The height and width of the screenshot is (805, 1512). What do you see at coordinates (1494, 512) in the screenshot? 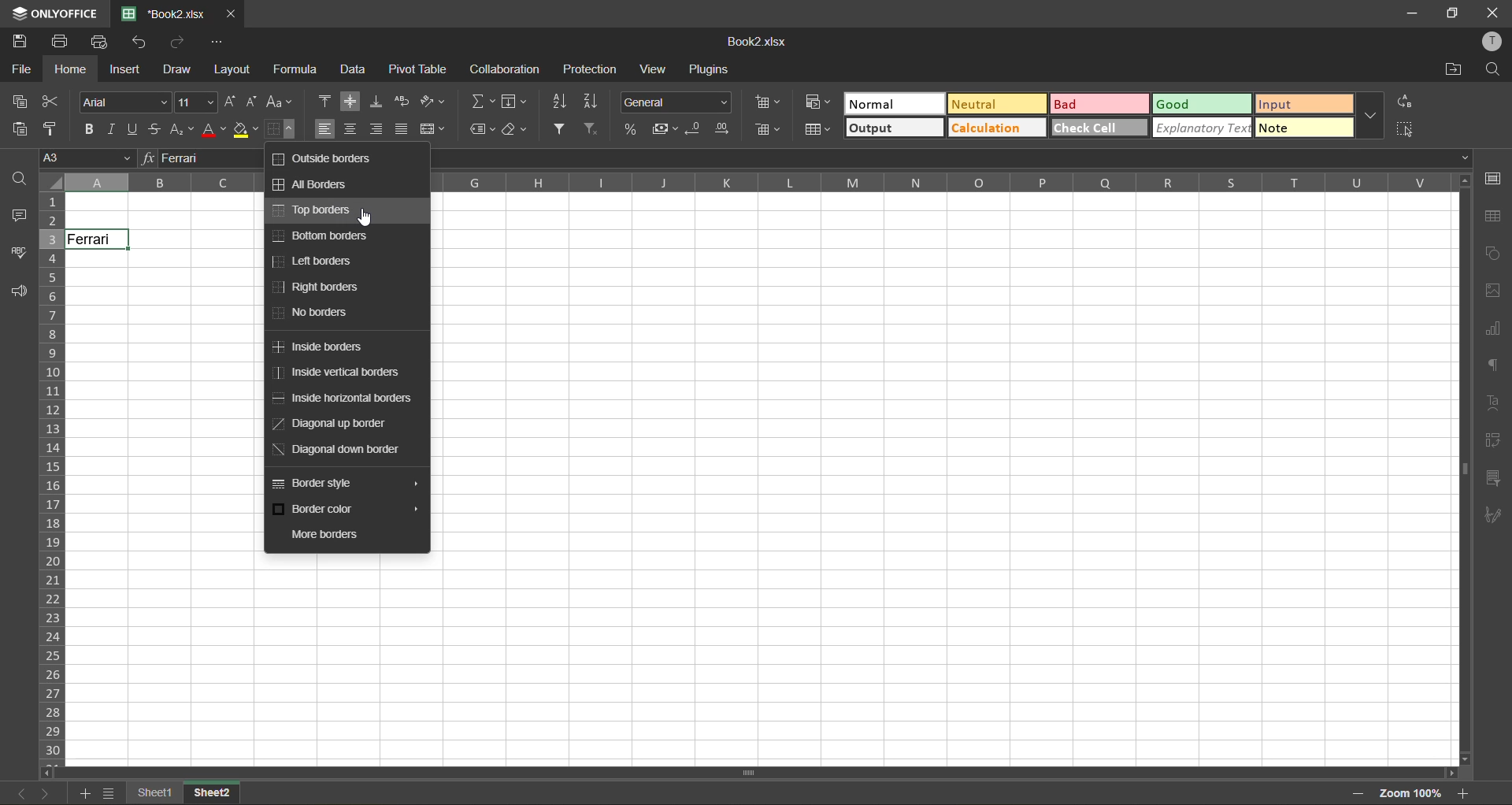
I see `signature` at bounding box center [1494, 512].